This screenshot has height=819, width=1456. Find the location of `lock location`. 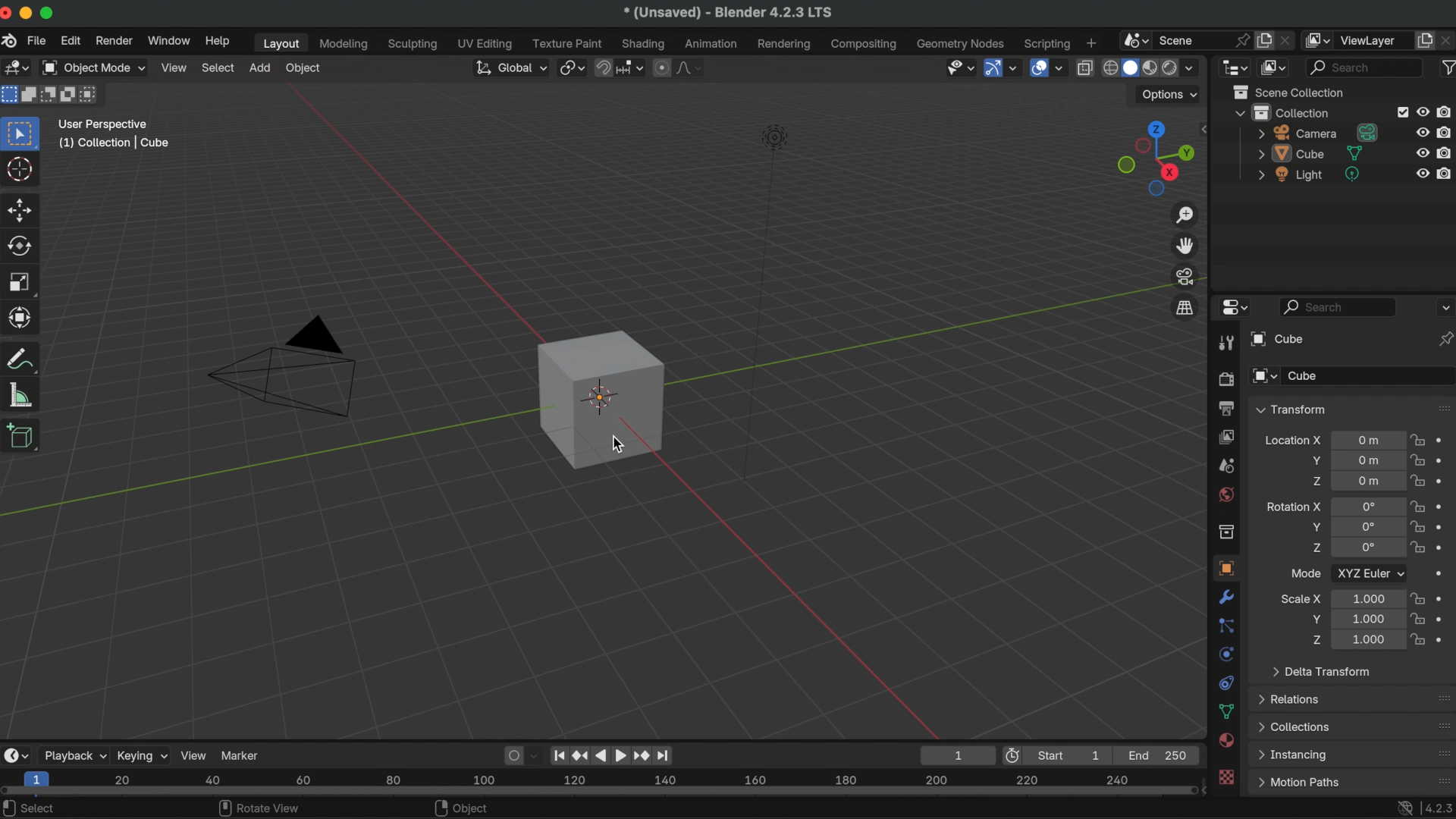

lock location is located at coordinates (1418, 442).